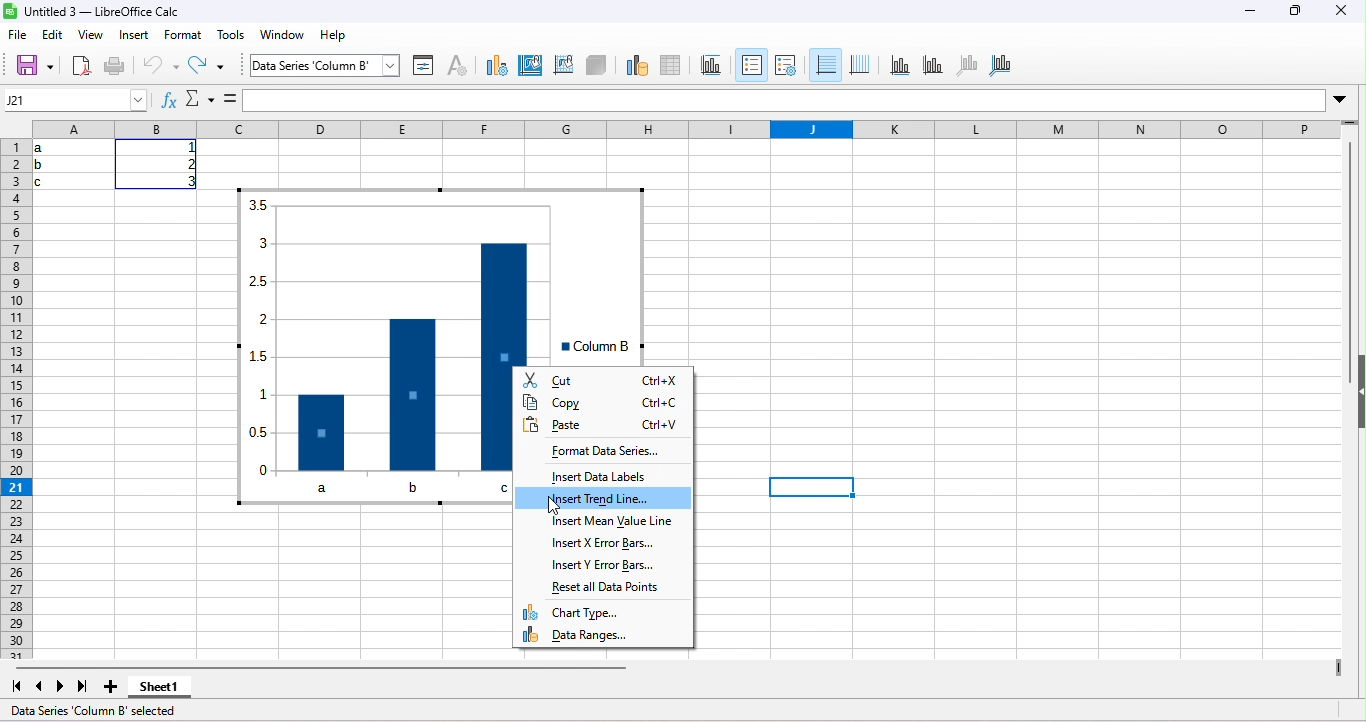 The image size is (1366, 722). What do you see at coordinates (604, 589) in the screenshot?
I see `reset all data points` at bounding box center [604, 589].